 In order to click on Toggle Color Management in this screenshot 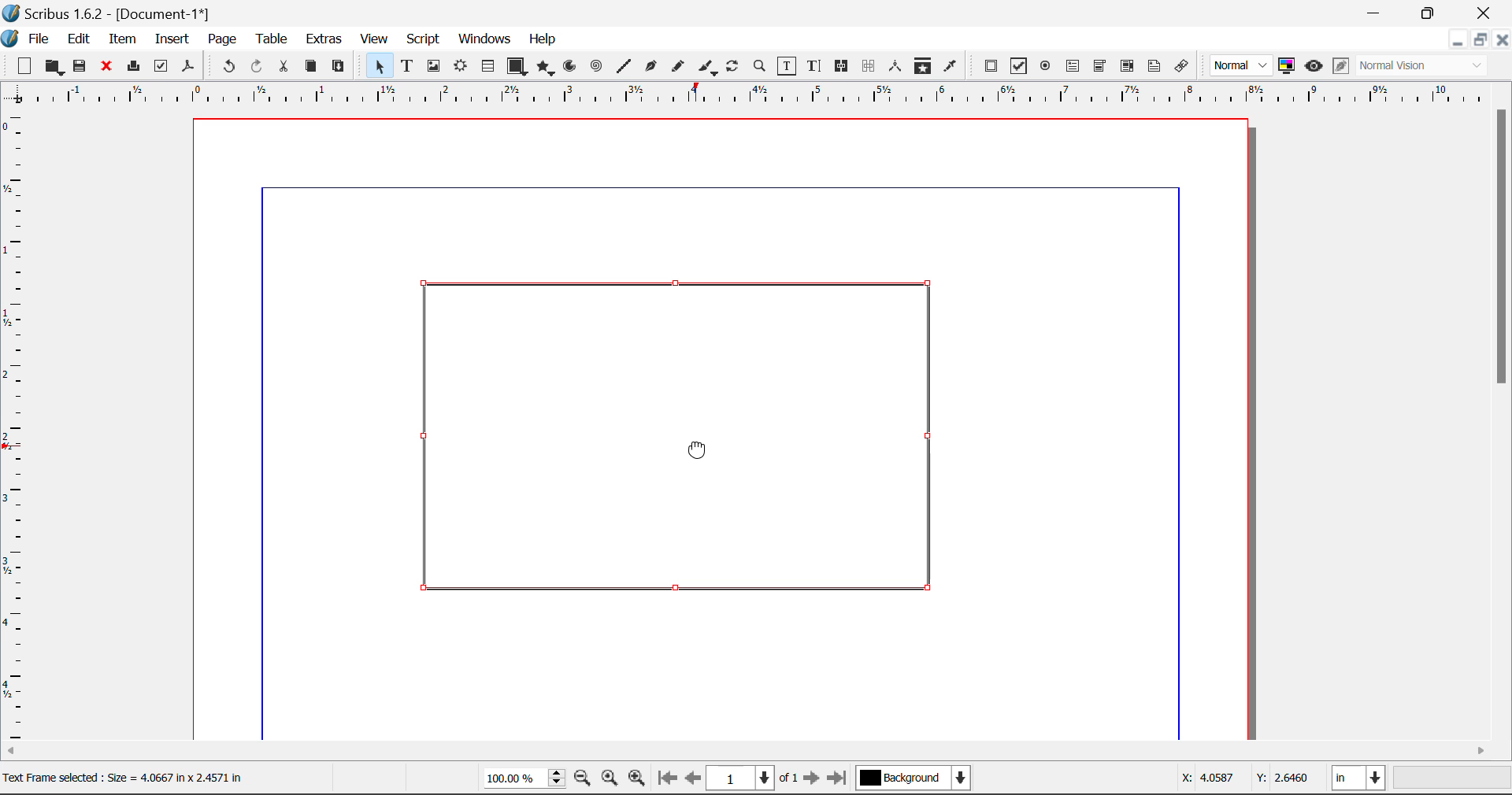, I will do `click(1288, 67)`.